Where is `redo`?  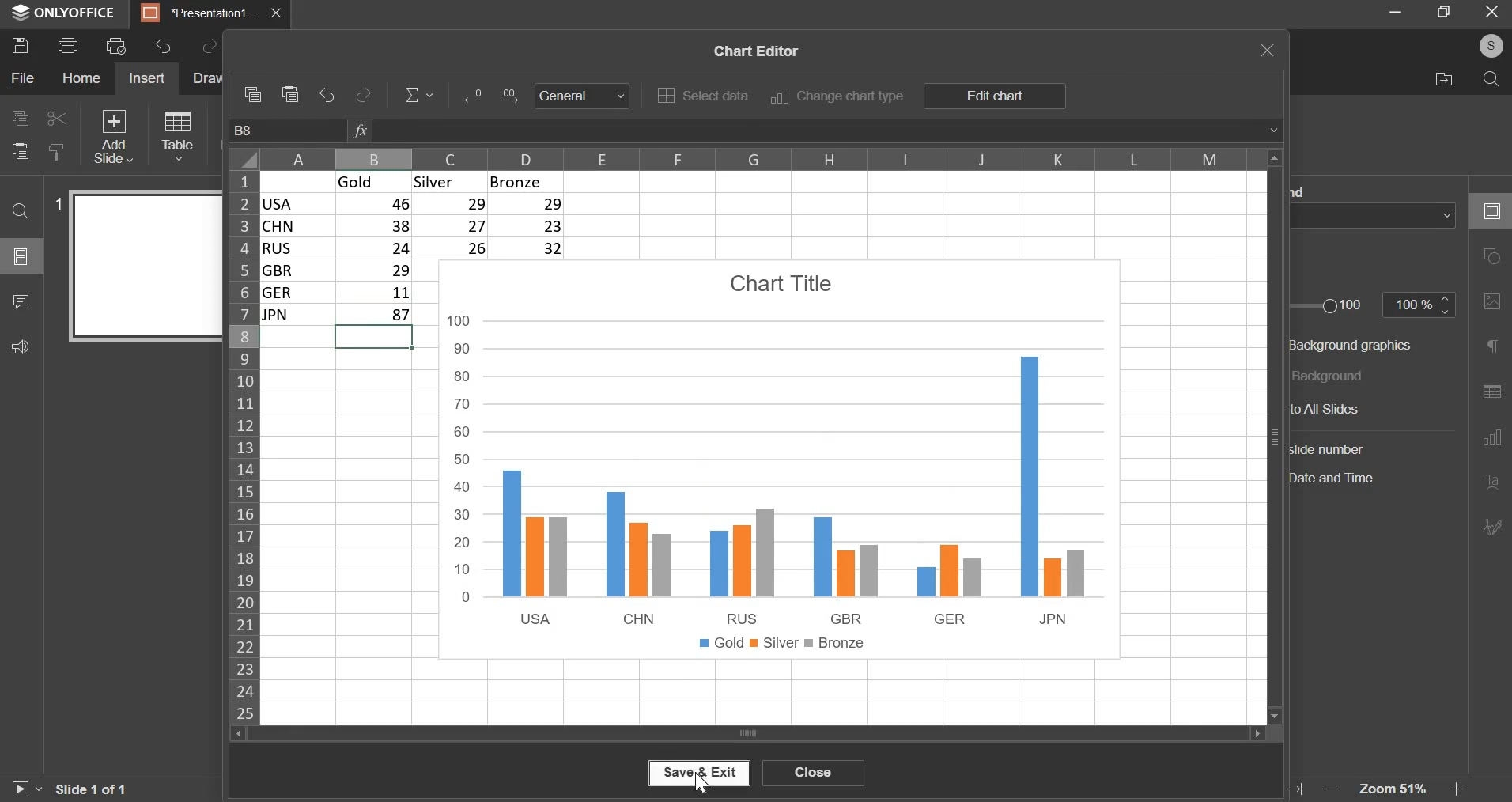 redo is located at coordinates (365, 95).